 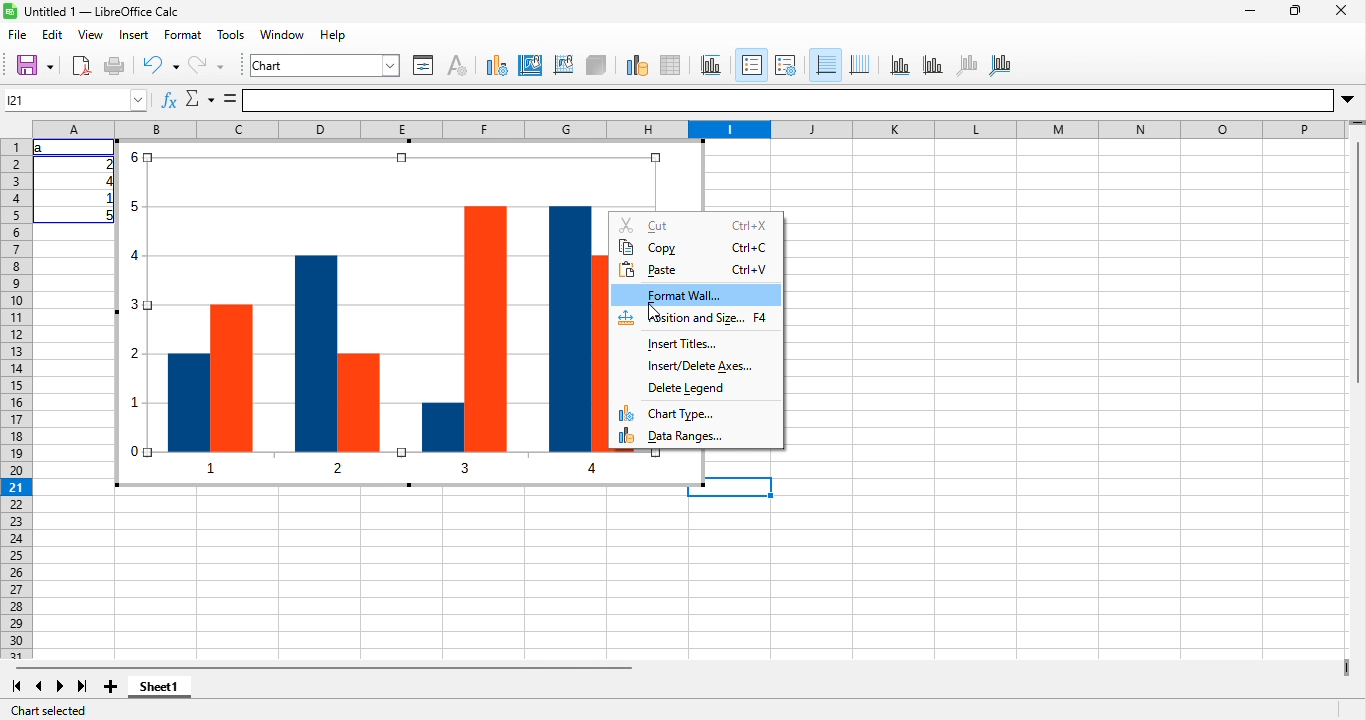 What do you see at coordinates (901, 66) in the screenshot?
I see `x axis` at bounding box center [901, 66].